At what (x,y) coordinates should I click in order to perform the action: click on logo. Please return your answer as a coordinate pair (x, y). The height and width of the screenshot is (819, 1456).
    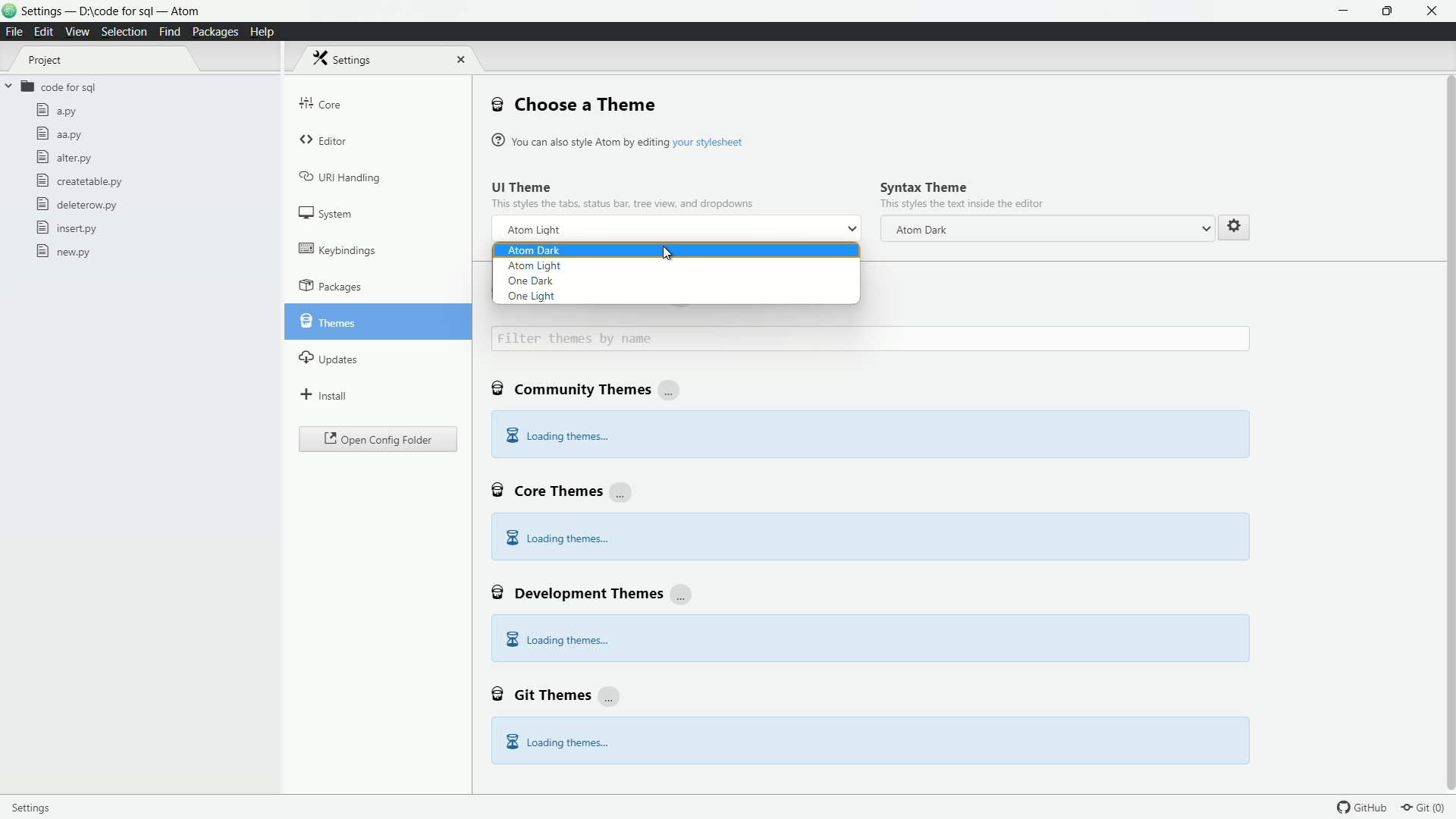
    Looking at the image, I should click on (10, 12).